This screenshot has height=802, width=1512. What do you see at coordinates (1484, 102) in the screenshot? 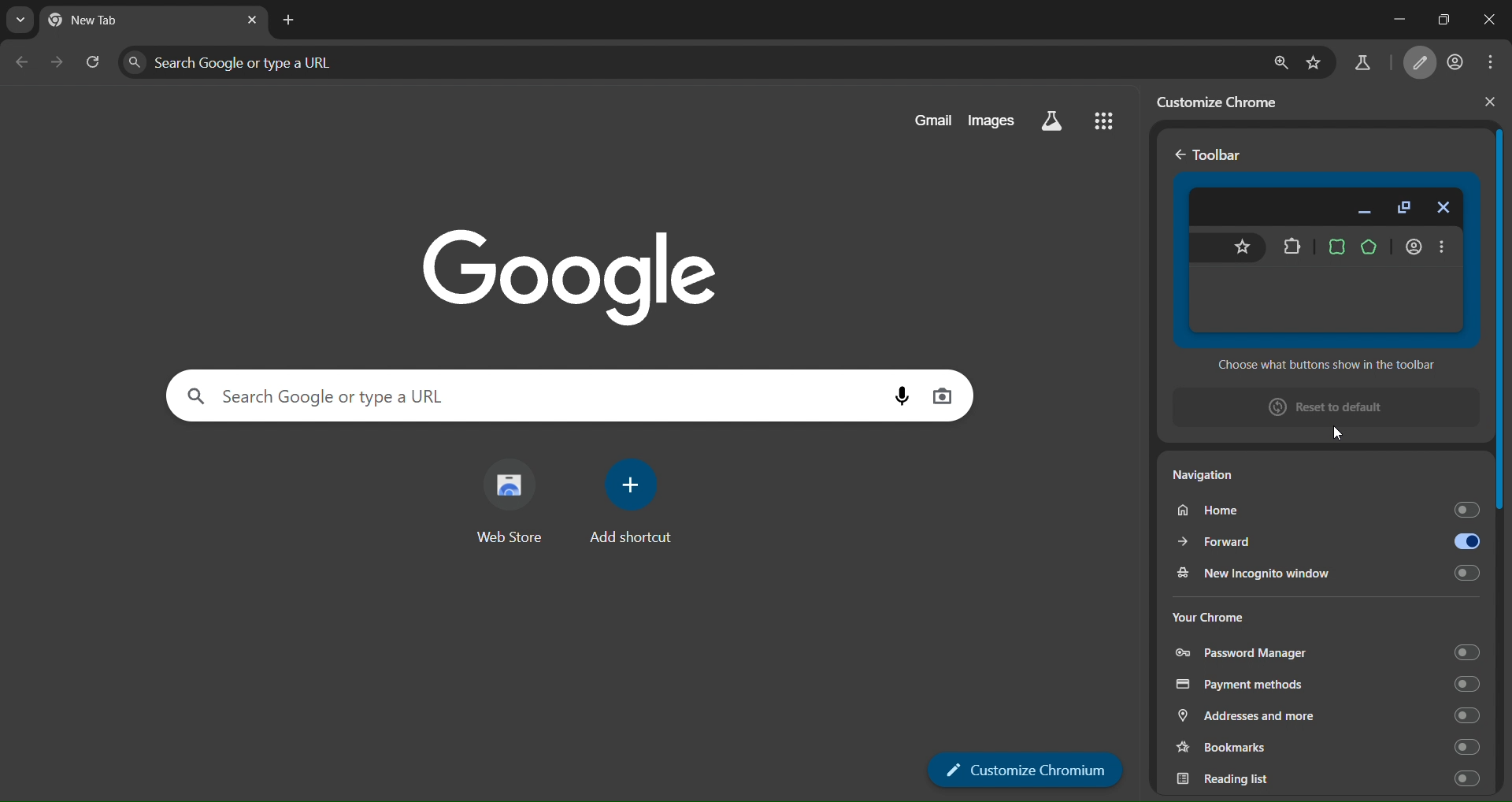
I see `close` at bounding box center [1484, 102].